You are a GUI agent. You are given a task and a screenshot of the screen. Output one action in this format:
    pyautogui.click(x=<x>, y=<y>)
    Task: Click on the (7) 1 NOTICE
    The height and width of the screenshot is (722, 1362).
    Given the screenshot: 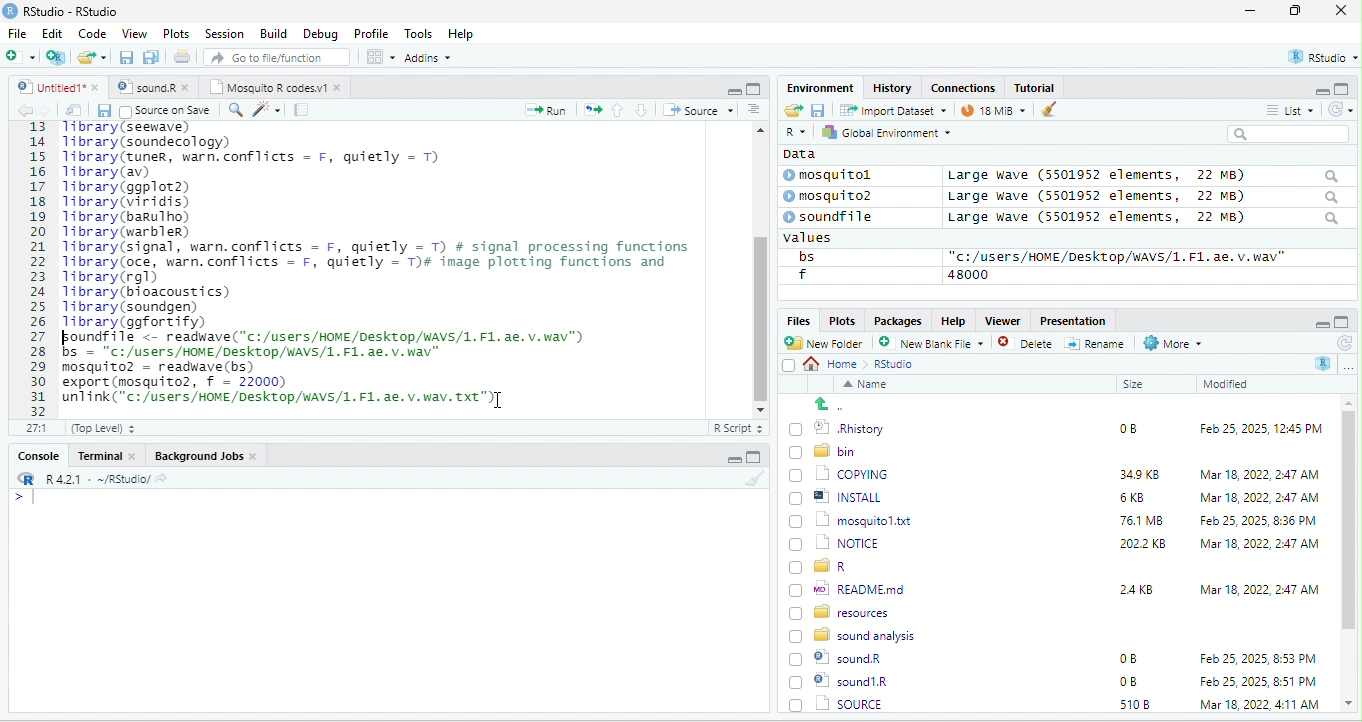 What is the action you would take?
    pyautogui.click(x=832, y=544)
    